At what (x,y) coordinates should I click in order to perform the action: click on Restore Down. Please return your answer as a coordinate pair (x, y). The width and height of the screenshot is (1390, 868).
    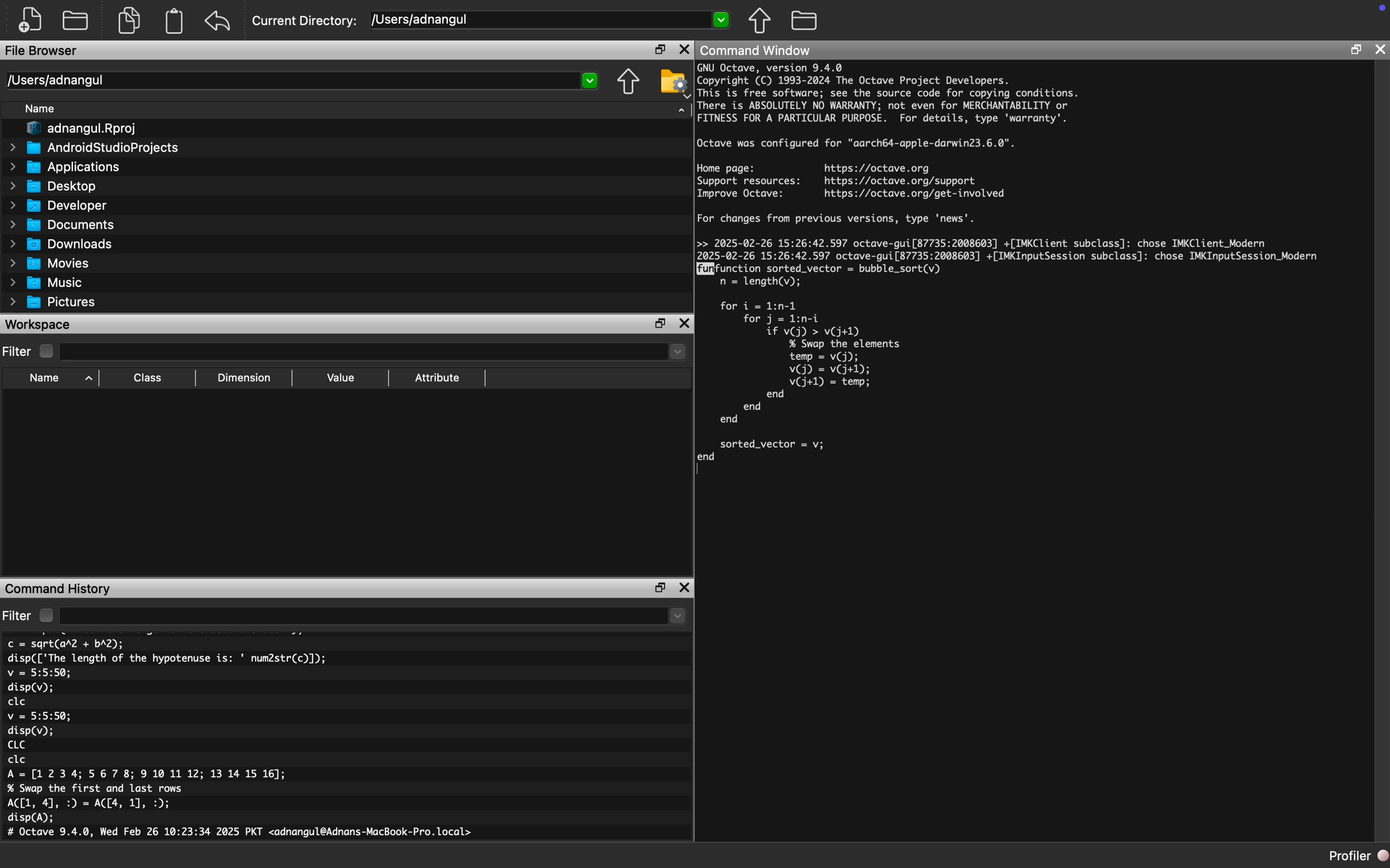
    Looking at the image, I should click on (660, 324).